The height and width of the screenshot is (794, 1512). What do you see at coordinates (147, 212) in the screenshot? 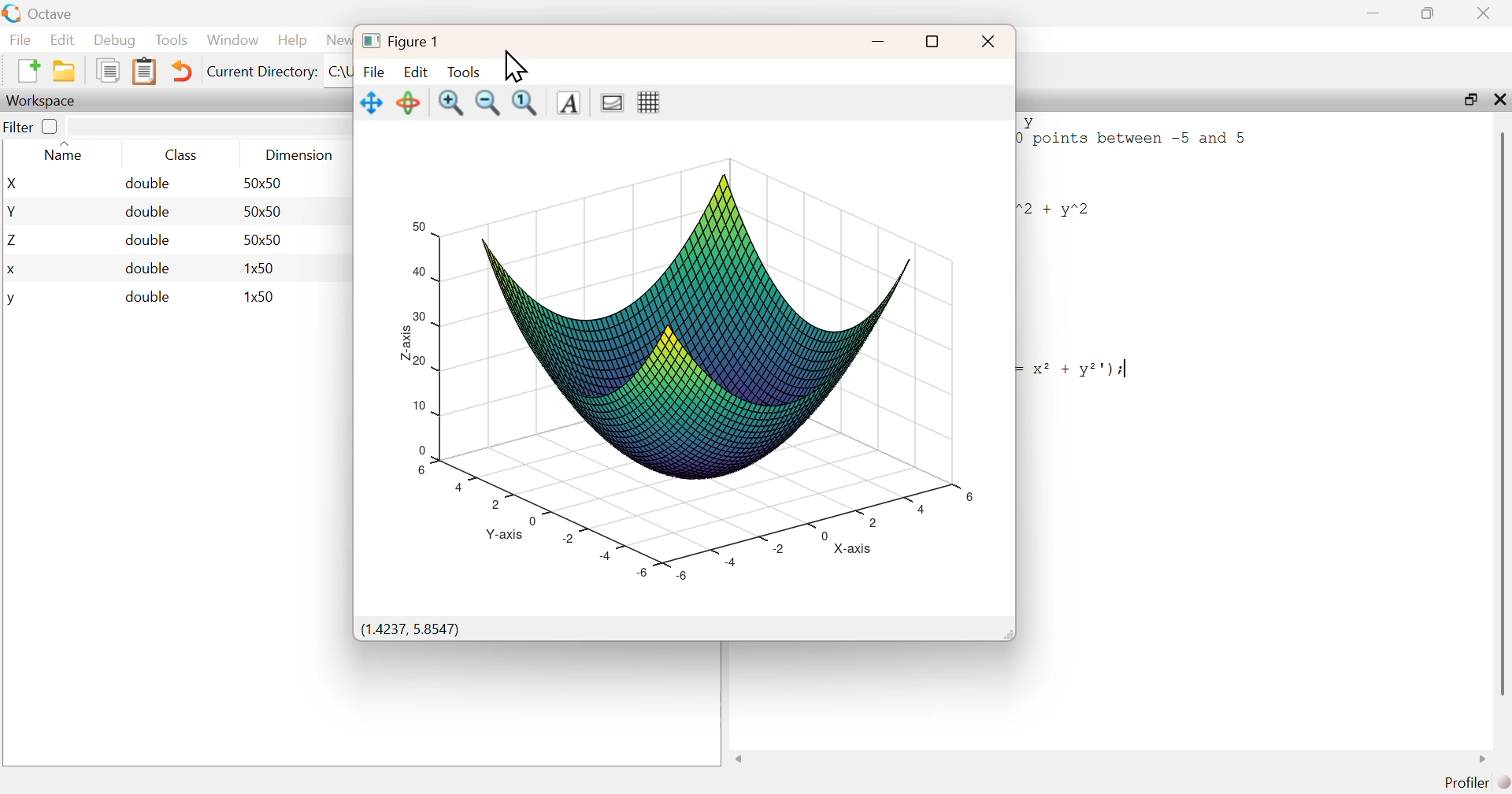
I see `double` at bounding box center [147, 212].